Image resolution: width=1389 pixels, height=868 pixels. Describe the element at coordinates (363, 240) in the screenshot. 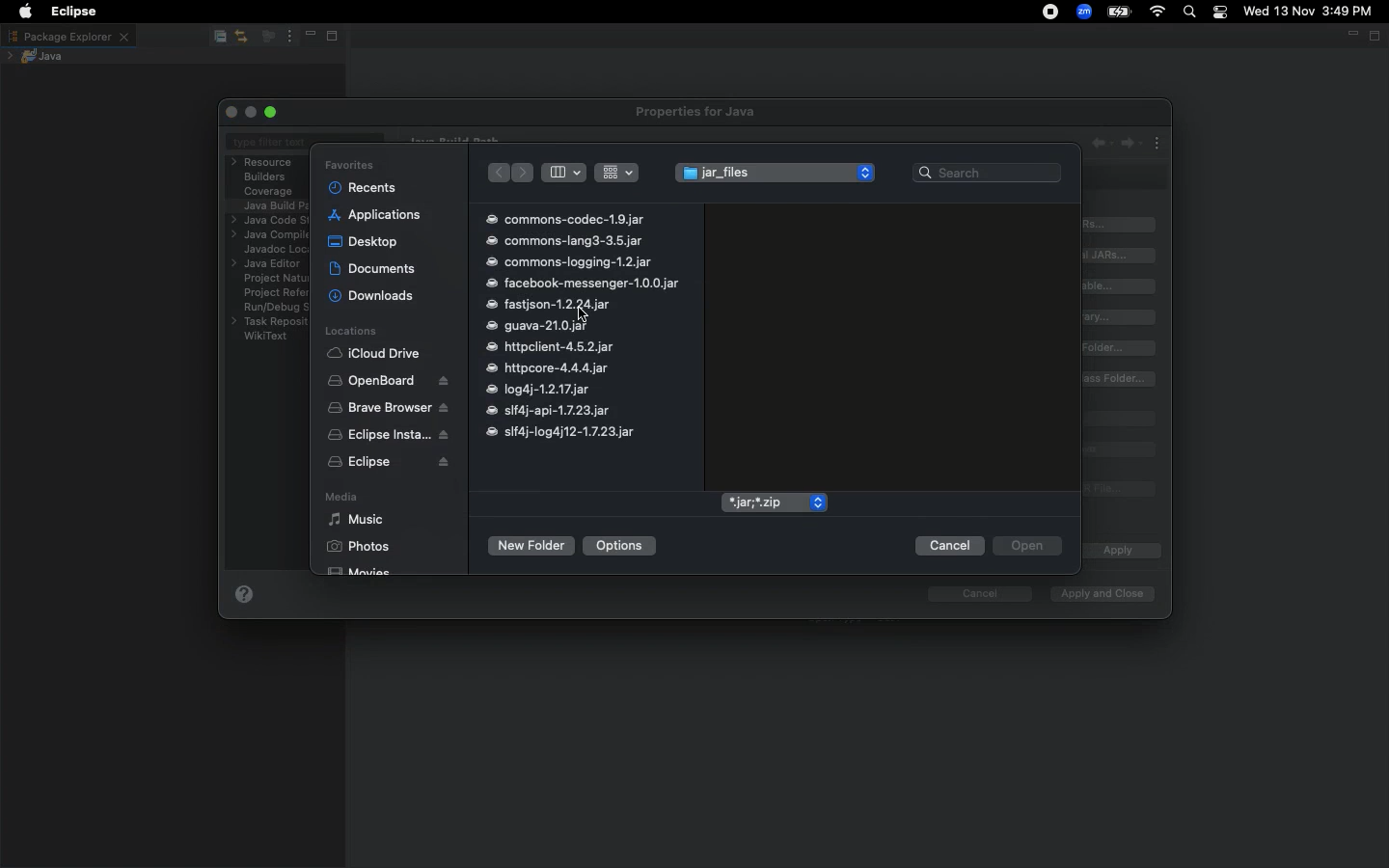

I see `Desktop` at that location.